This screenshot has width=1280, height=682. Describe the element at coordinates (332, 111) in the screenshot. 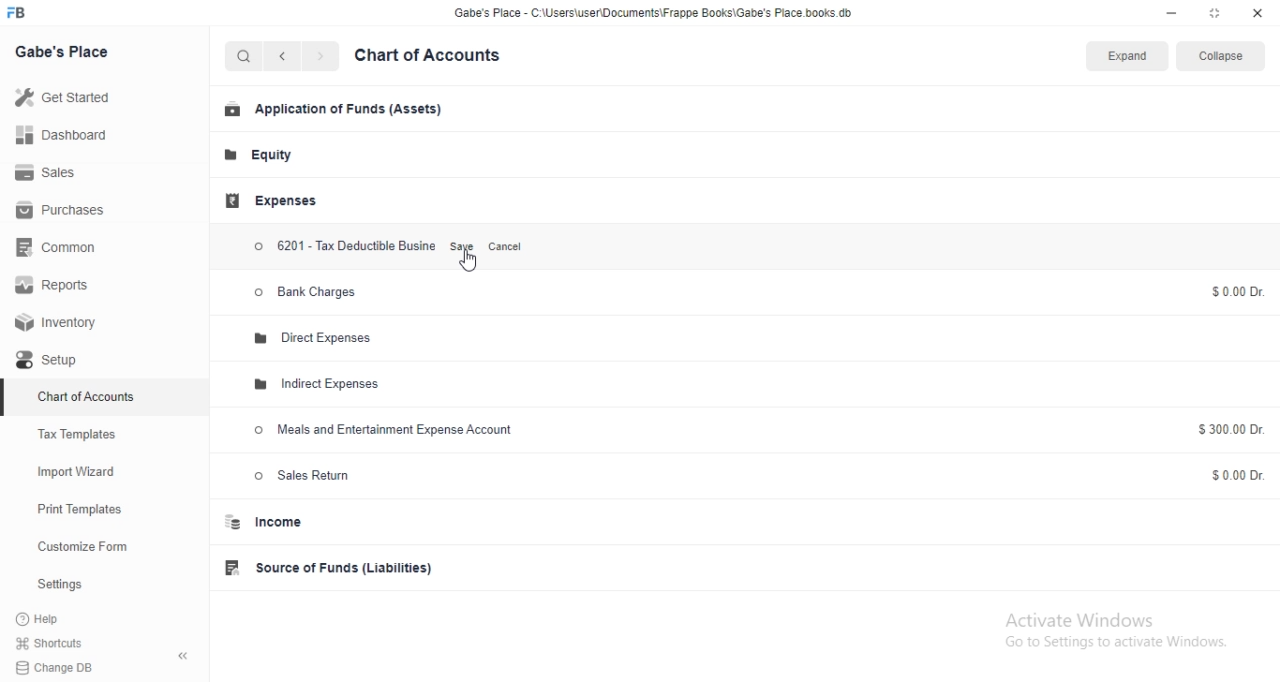

I see `Application of Funds (Assets)` at that location.